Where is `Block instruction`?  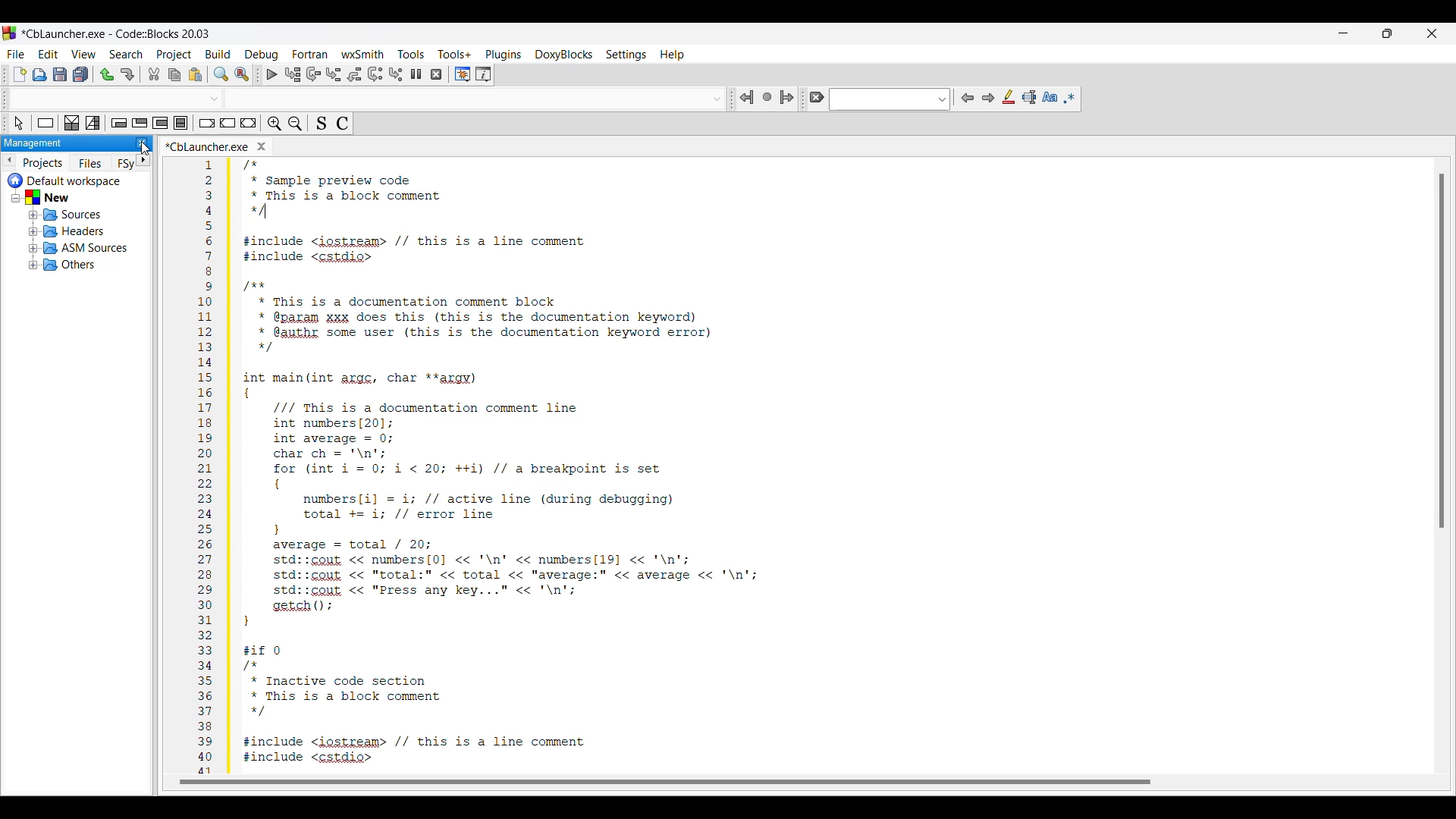
Block instruction is located at coordinates (180, 123).